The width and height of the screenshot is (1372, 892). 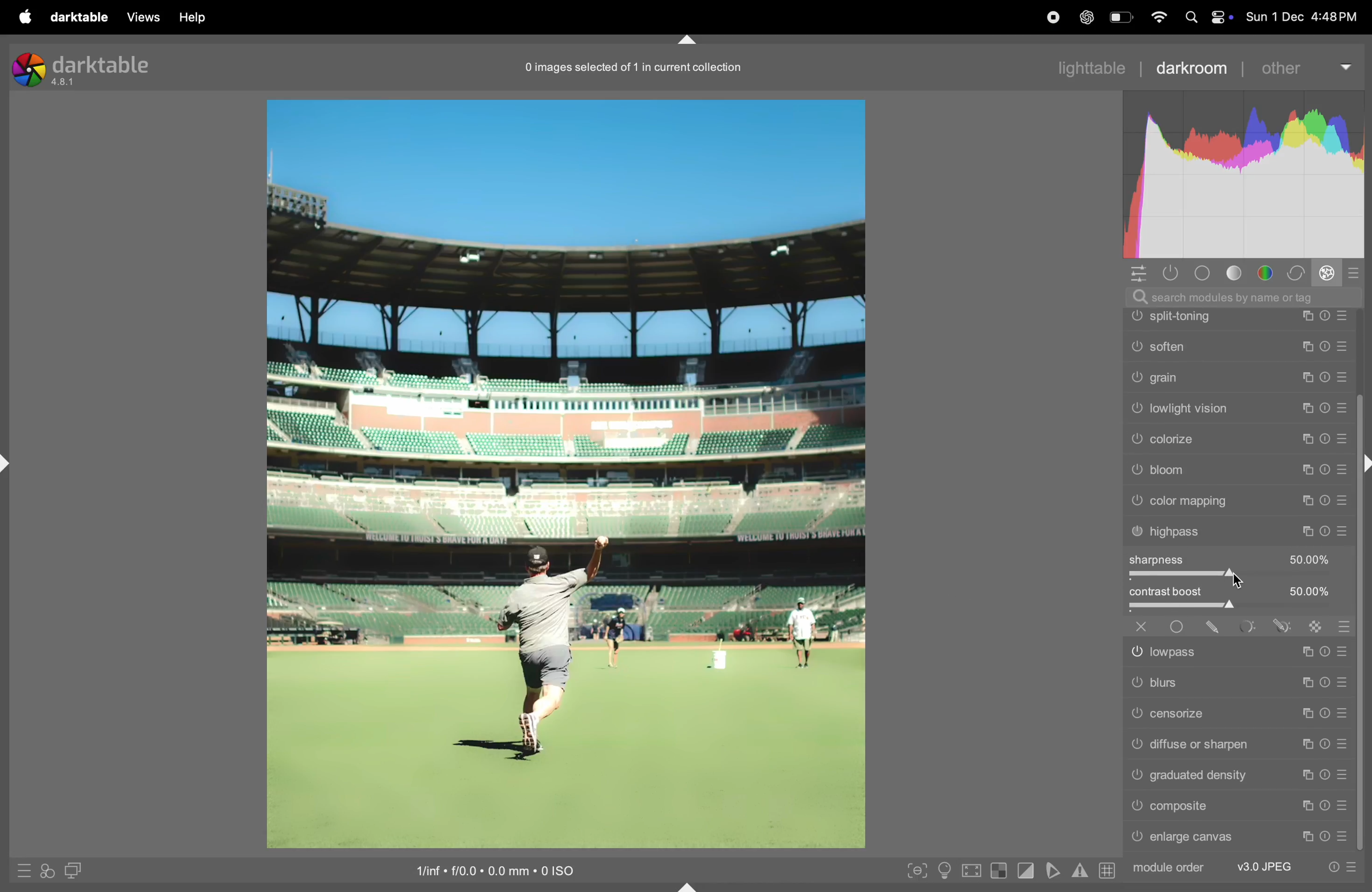 What do you see at coordinates (1141, 274) in the screenshot?
I see `options` at bounding box center [1141, 274].